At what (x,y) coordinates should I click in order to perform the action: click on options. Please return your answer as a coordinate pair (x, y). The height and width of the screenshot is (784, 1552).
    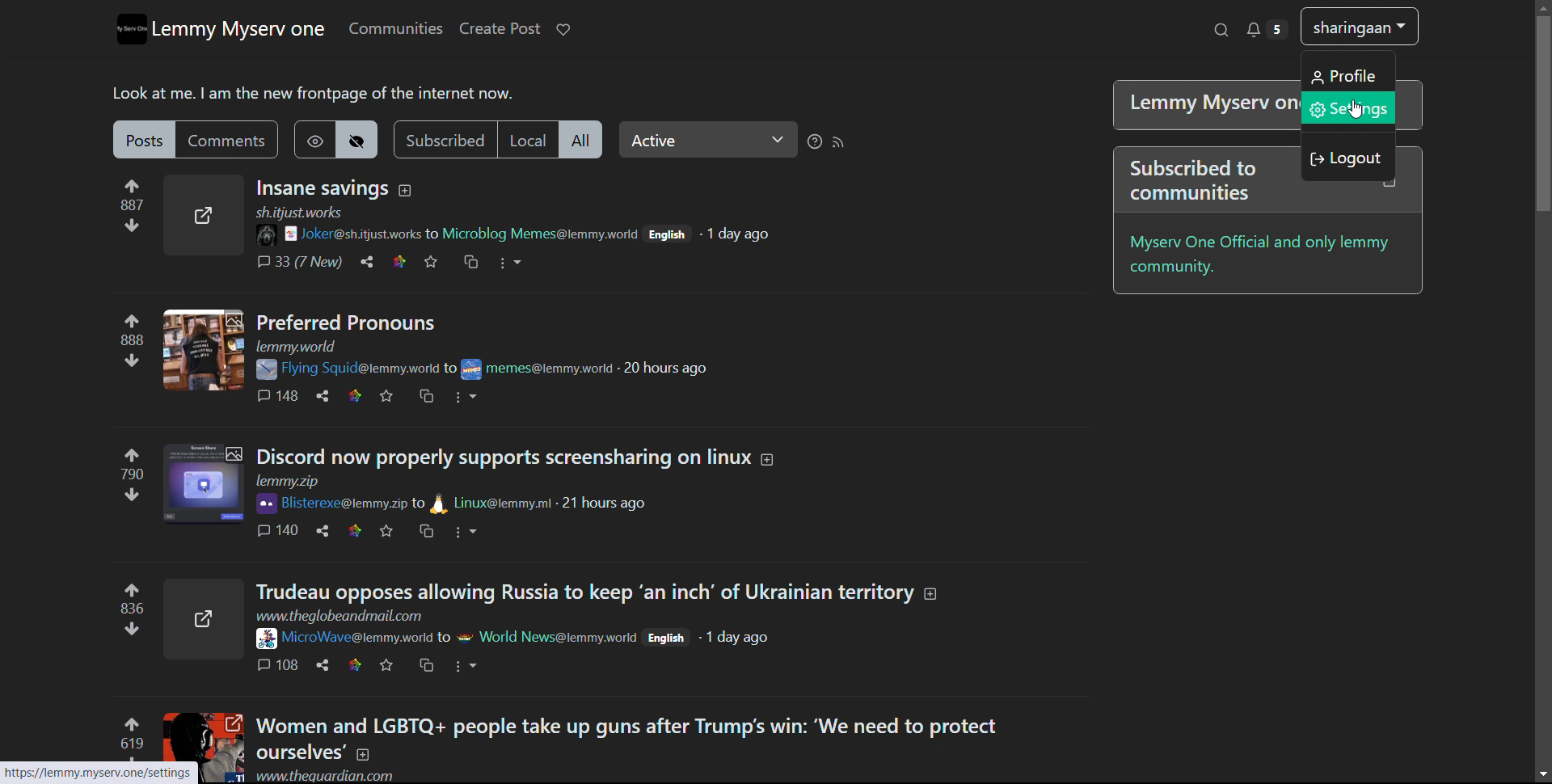
    Looking at the image, I should click on (466, 532).